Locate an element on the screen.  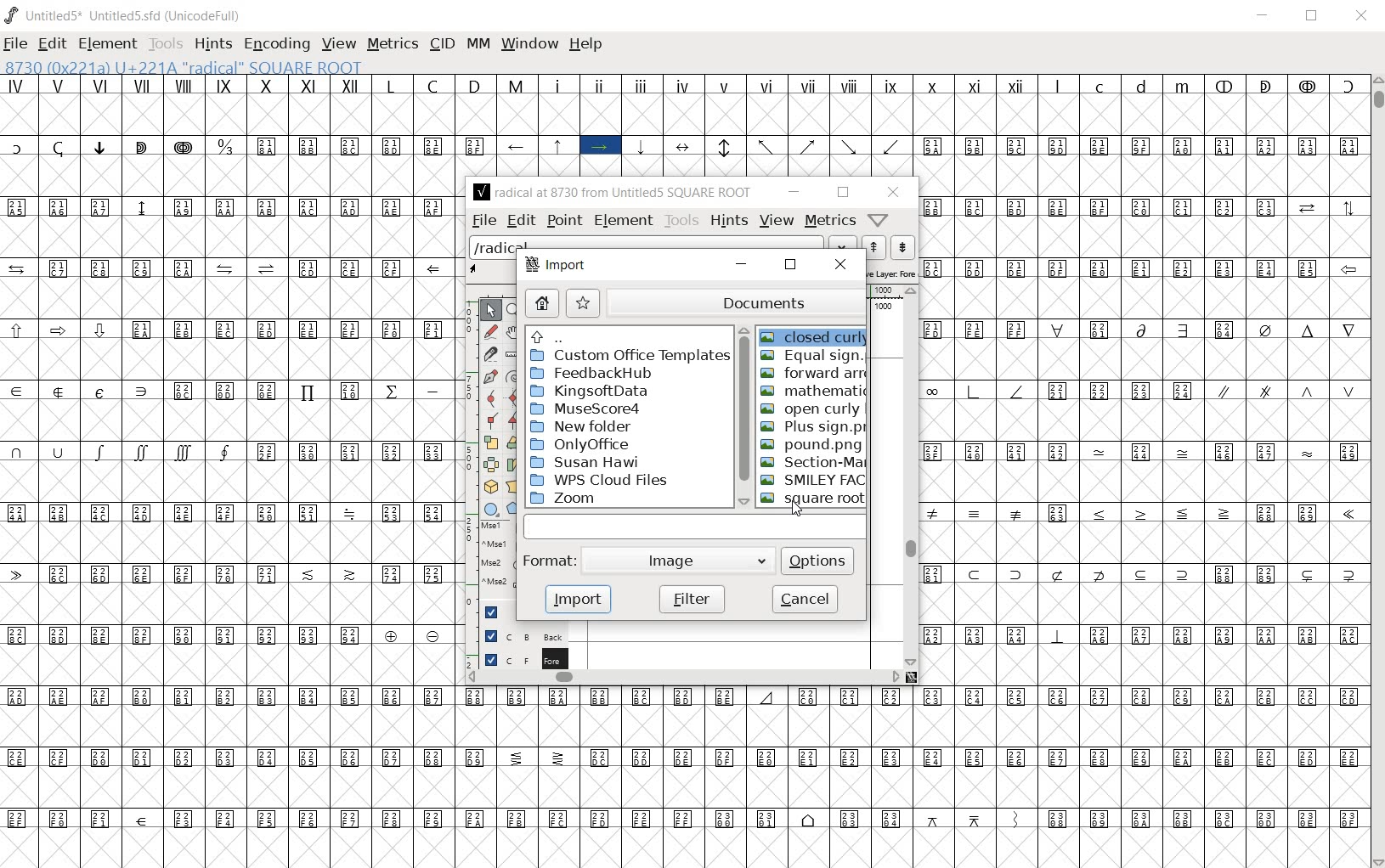
WINDOW is located at coordinates (530, 45).